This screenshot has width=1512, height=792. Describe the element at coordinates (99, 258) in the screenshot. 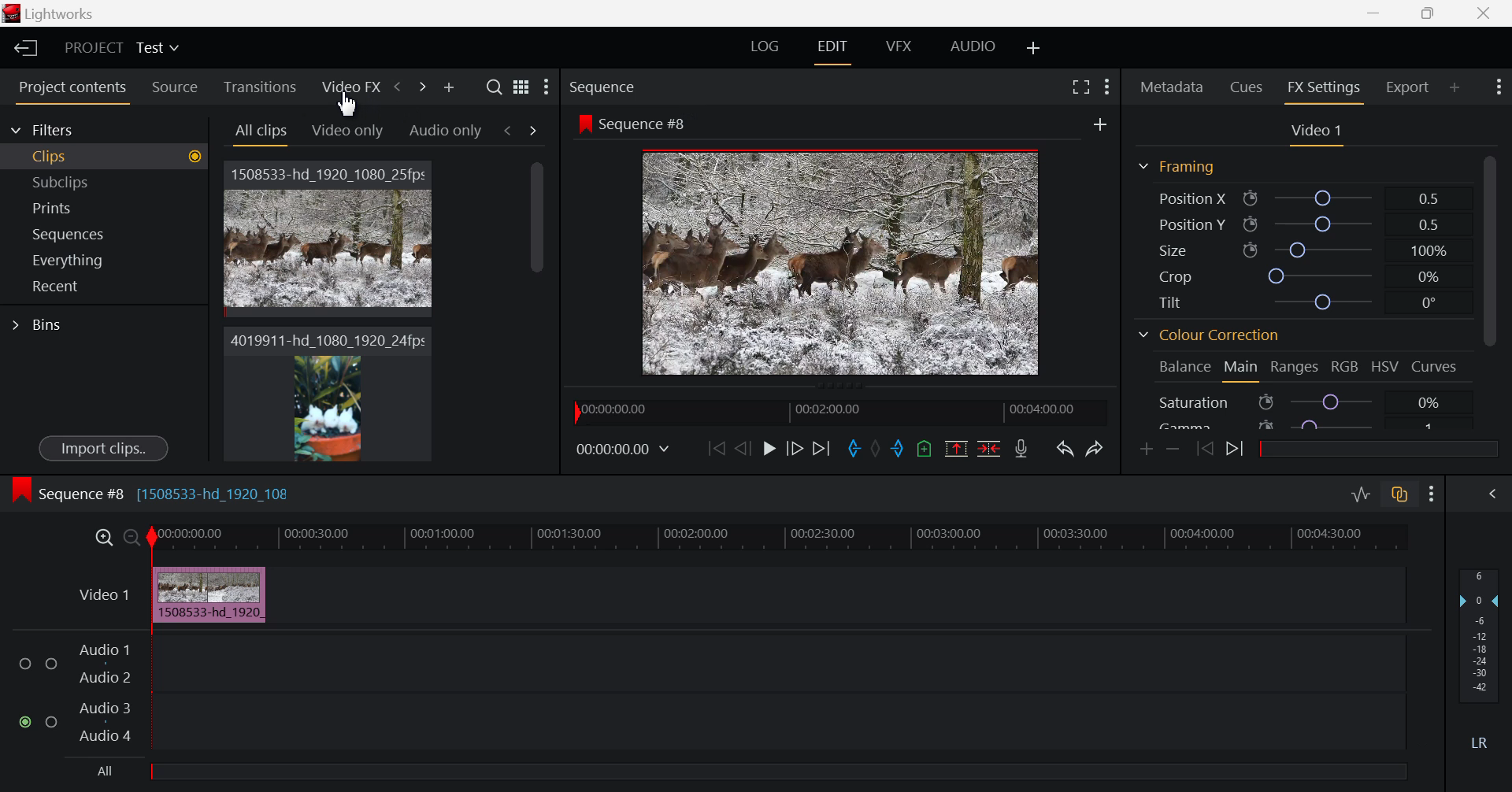

I see `Everything` at that location.